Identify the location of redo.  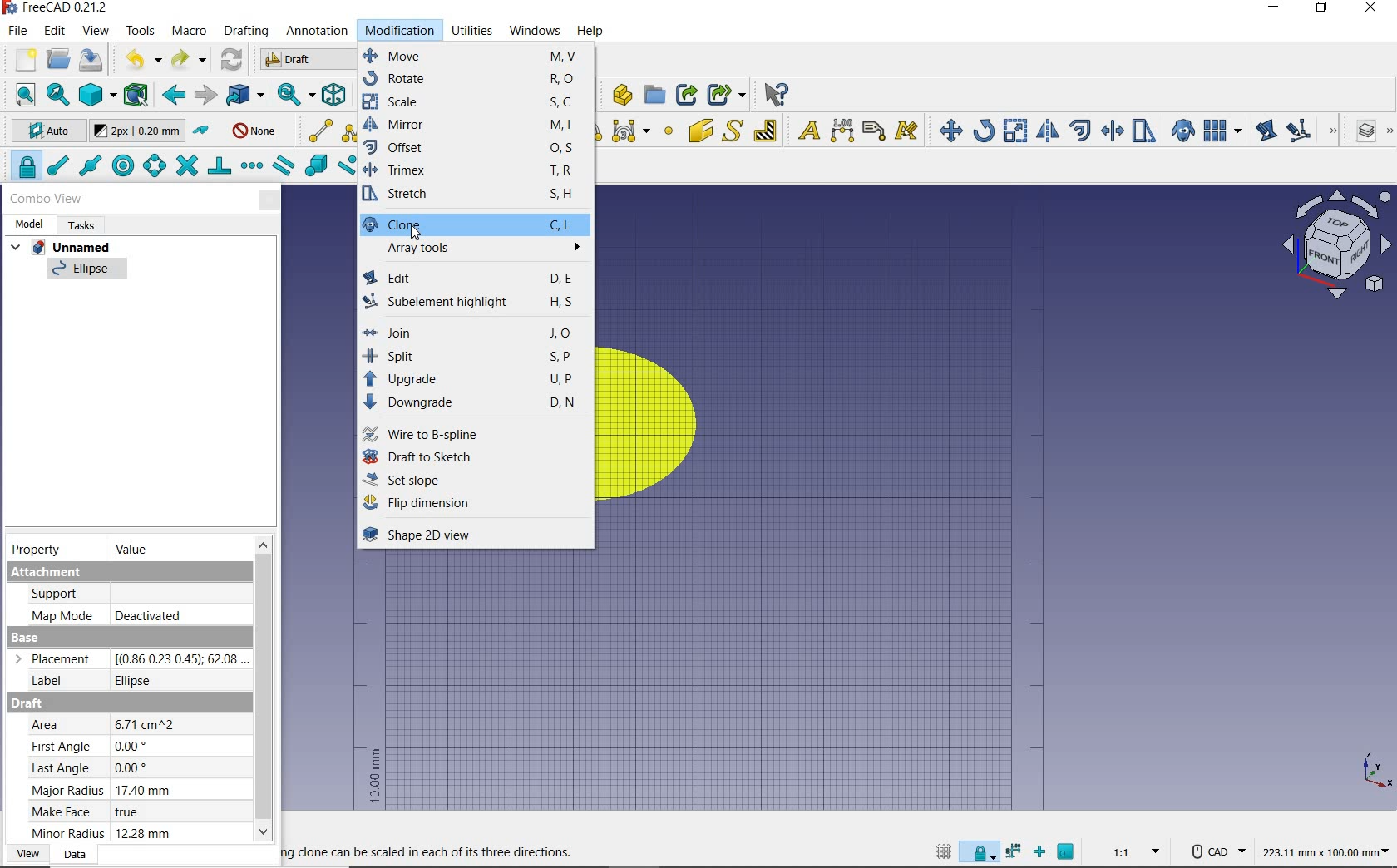
(190, 62).